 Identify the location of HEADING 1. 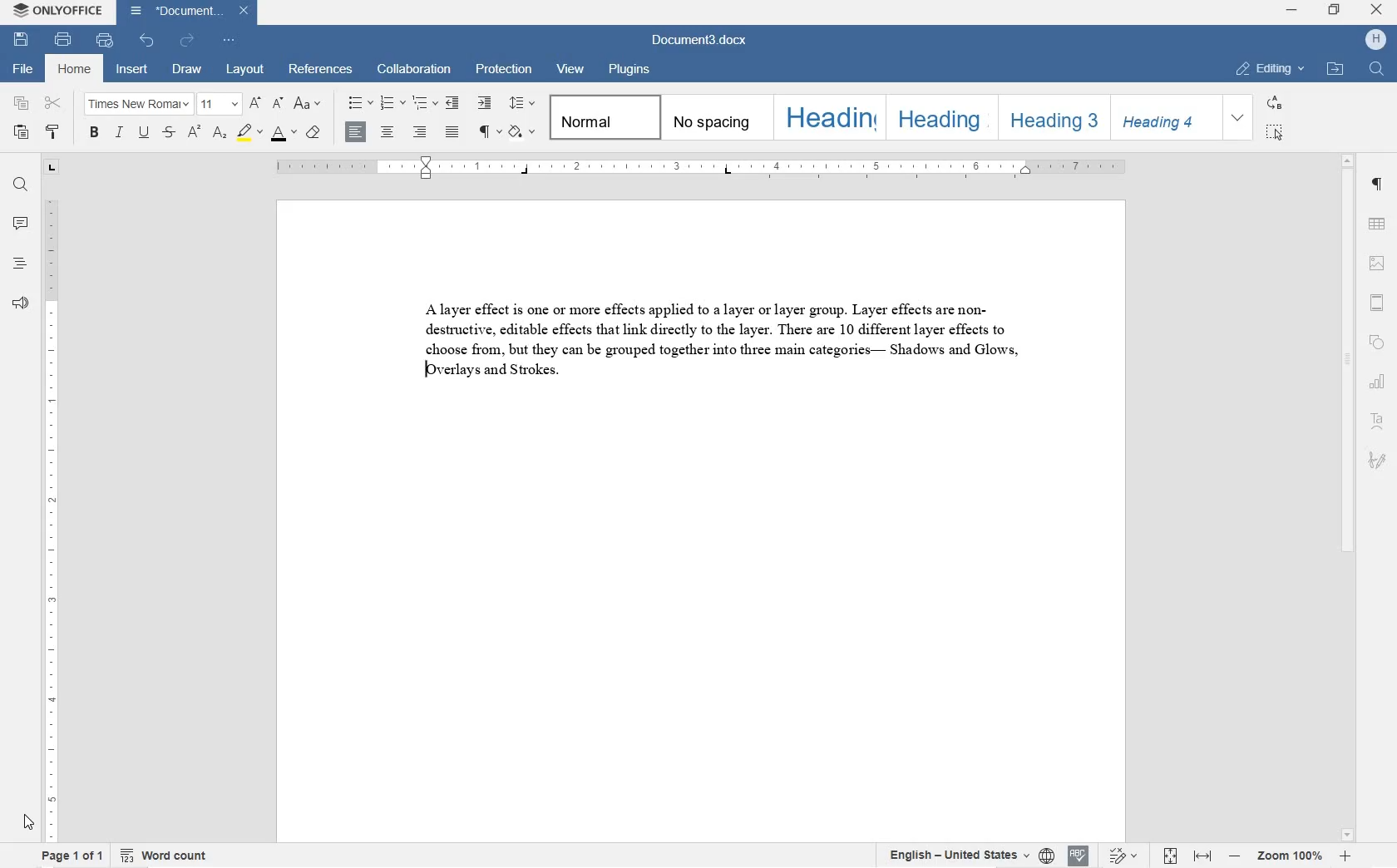
(830, 118).